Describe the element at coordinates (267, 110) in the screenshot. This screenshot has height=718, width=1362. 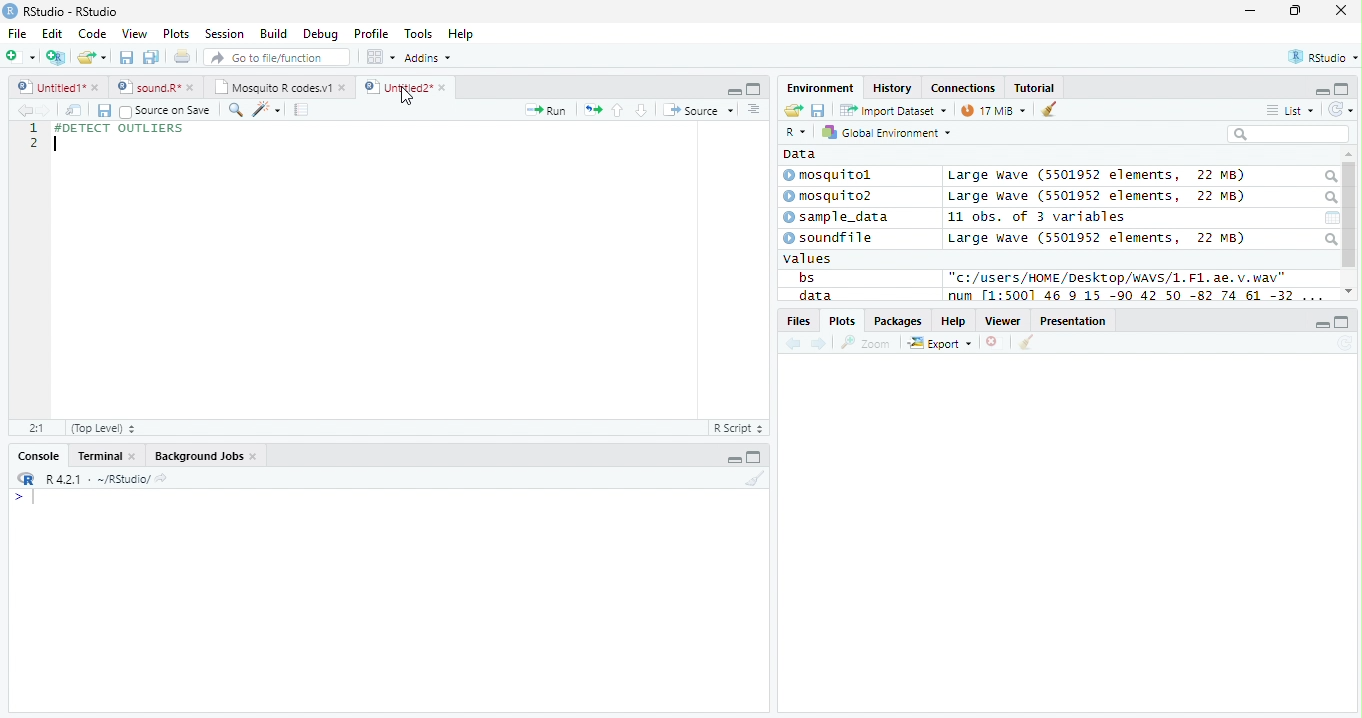
I see `code tools` at that location.